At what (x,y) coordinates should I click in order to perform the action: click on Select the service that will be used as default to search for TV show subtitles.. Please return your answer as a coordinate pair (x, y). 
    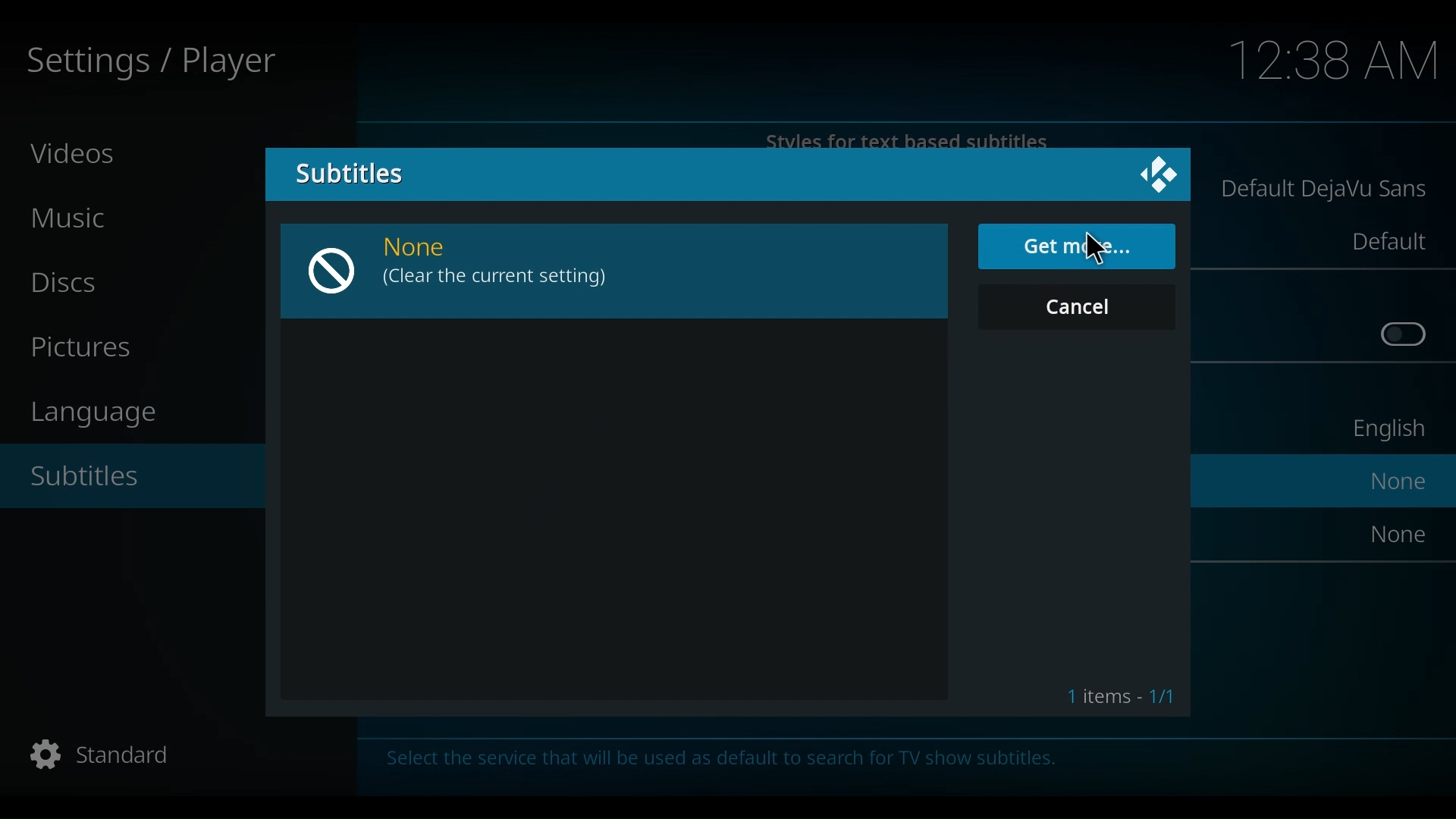
    Looking at the image, I should click on (753, 764).